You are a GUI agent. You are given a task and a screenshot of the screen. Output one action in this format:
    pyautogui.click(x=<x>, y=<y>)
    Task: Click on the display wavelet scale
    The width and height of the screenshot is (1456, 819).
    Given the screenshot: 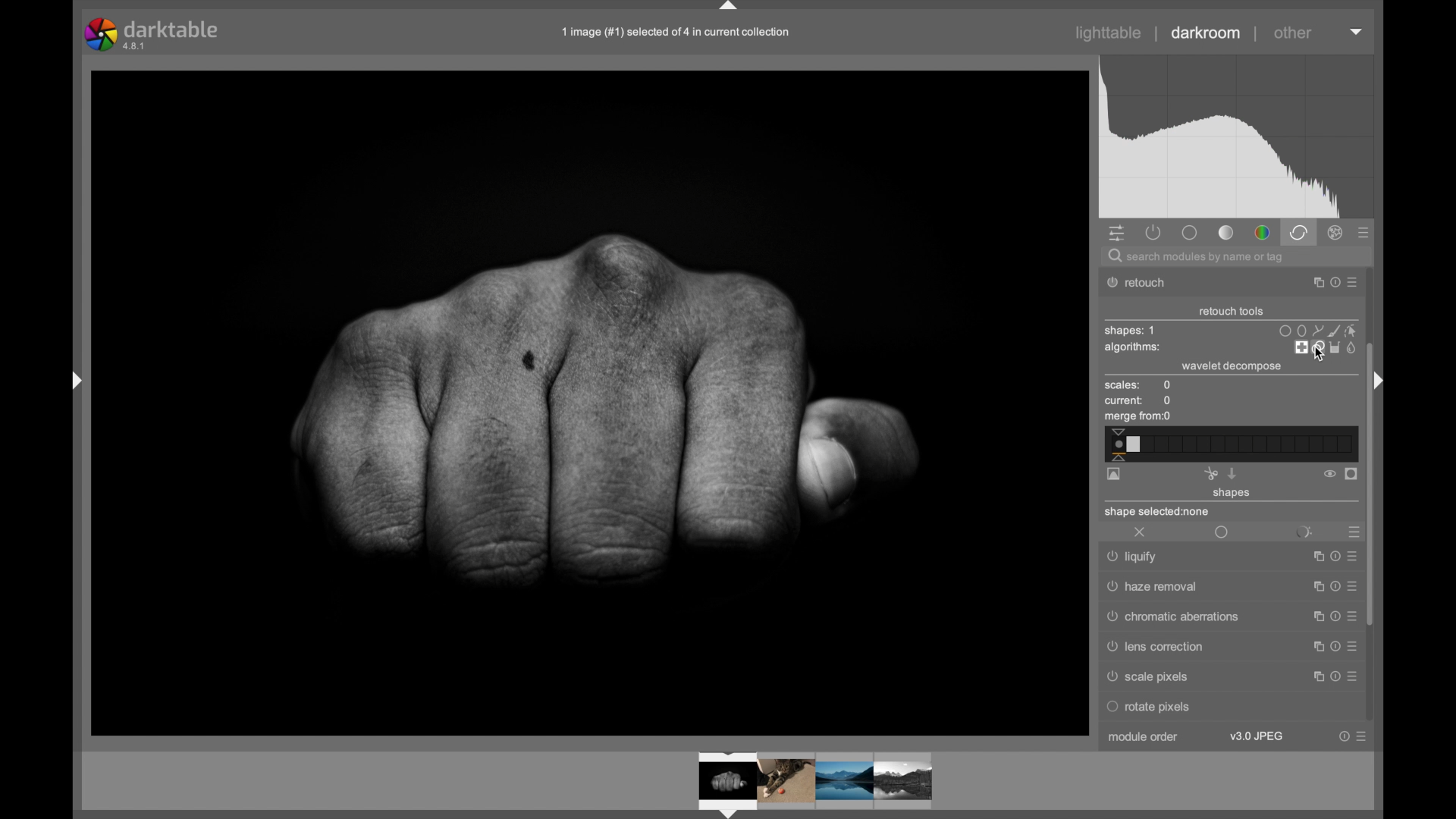 What is the action you would take?
    pyautogui.click(x=1114, y=475)
    